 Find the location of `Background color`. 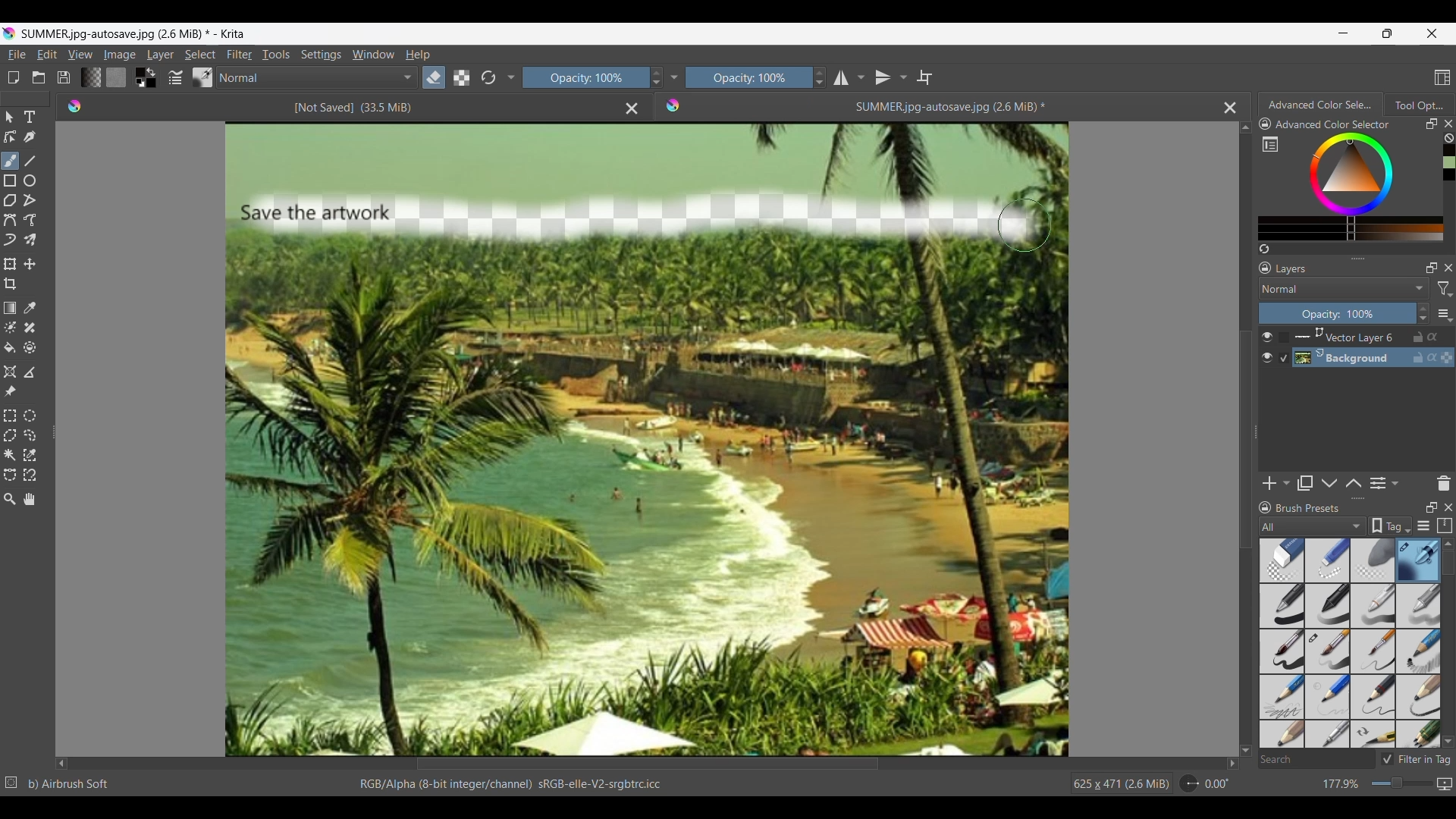

Background color is located at coordinates (152, 83).